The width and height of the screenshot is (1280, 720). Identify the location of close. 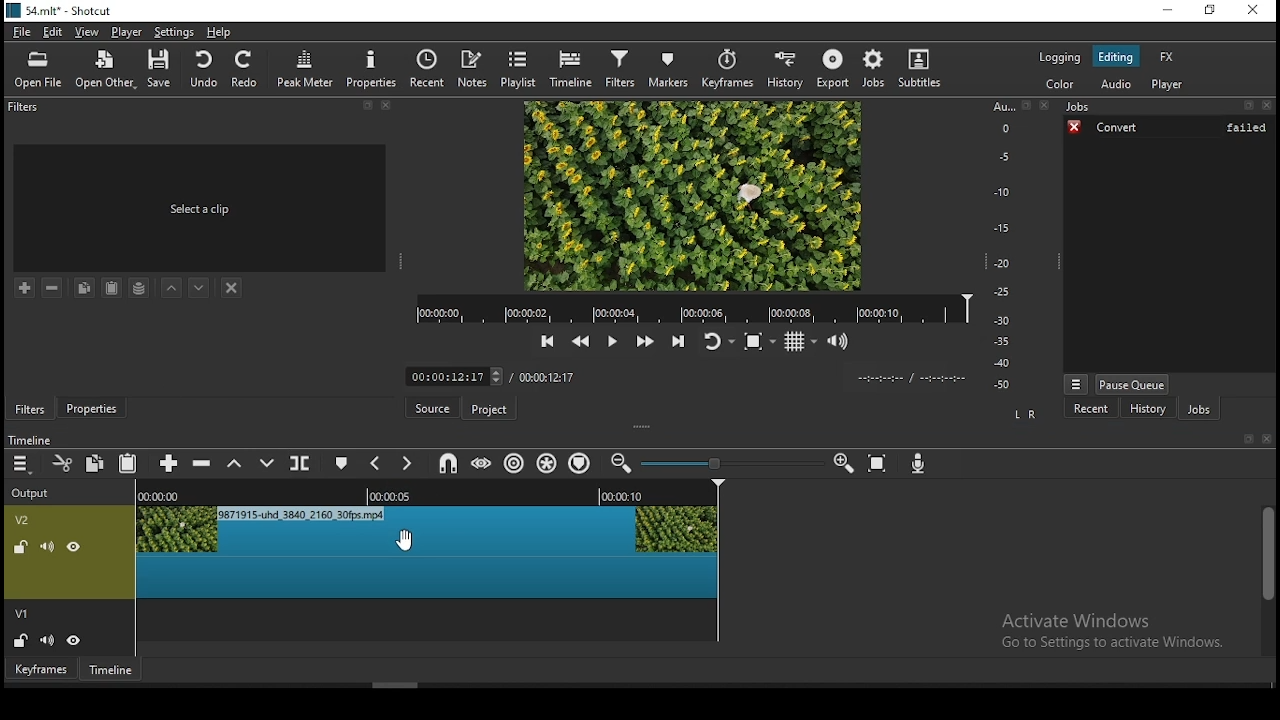
(1267, 437).